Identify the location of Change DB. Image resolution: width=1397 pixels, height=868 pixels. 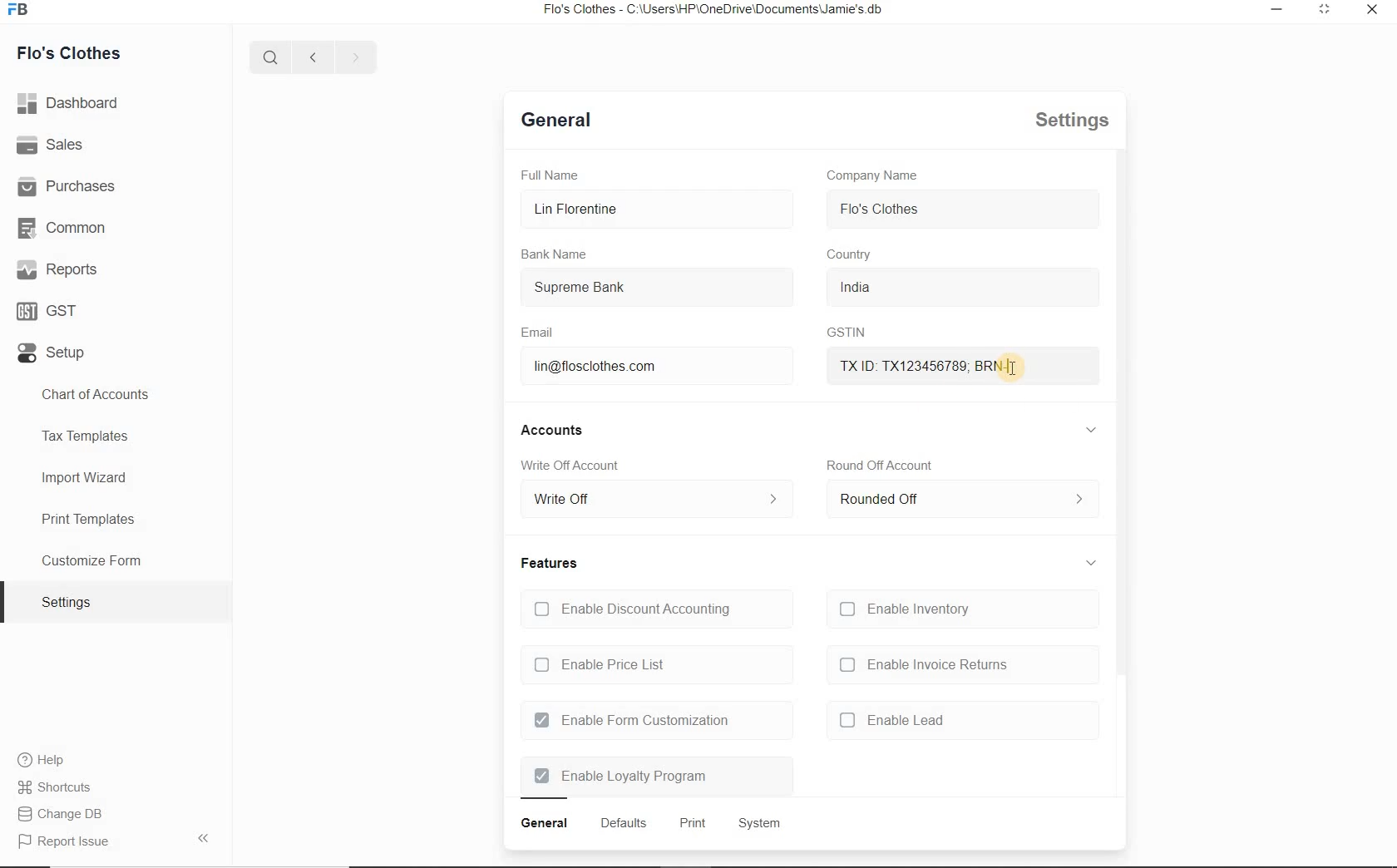
(66, 787).